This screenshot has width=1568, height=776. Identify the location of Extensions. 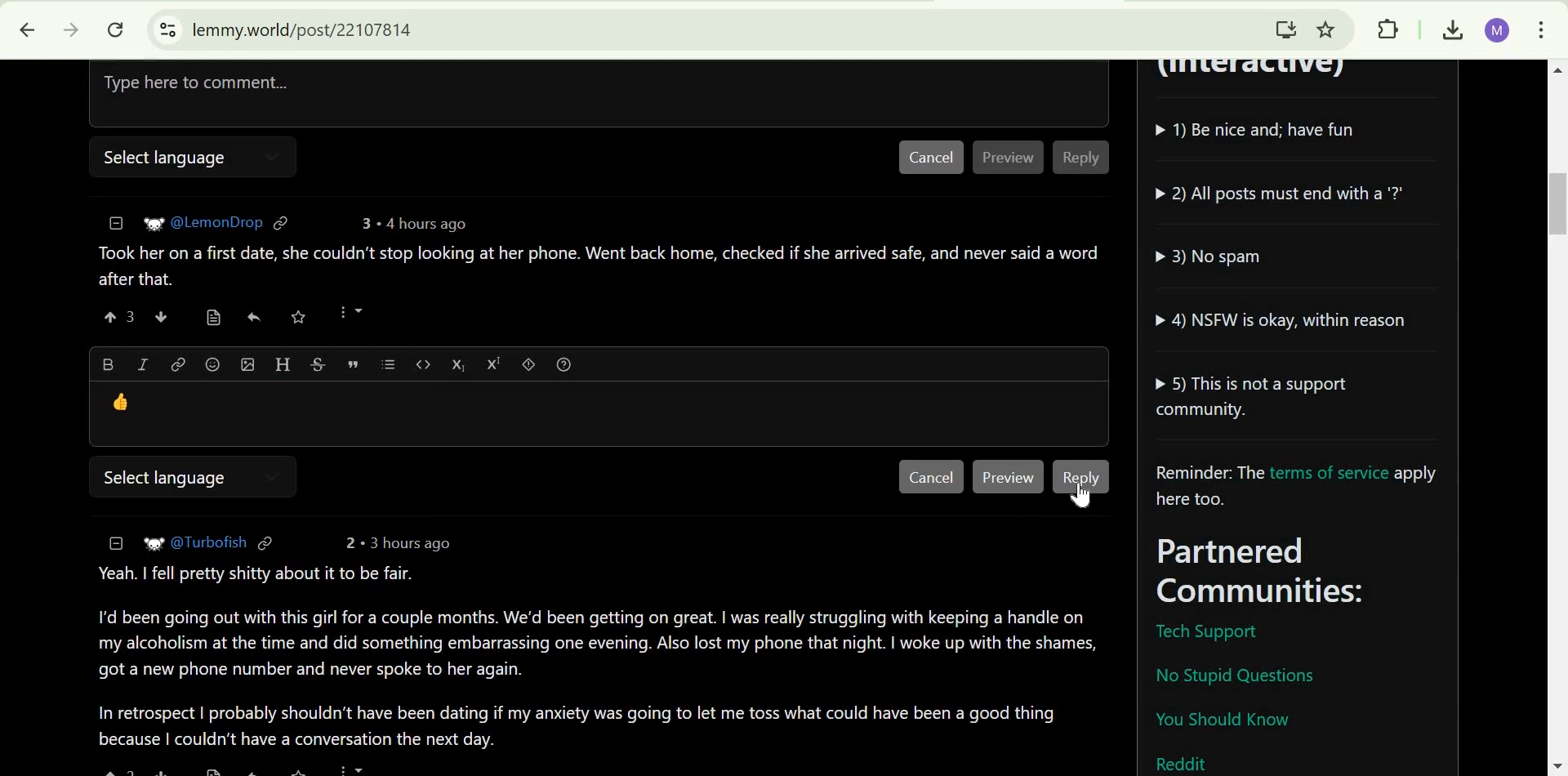
(1388, 29).